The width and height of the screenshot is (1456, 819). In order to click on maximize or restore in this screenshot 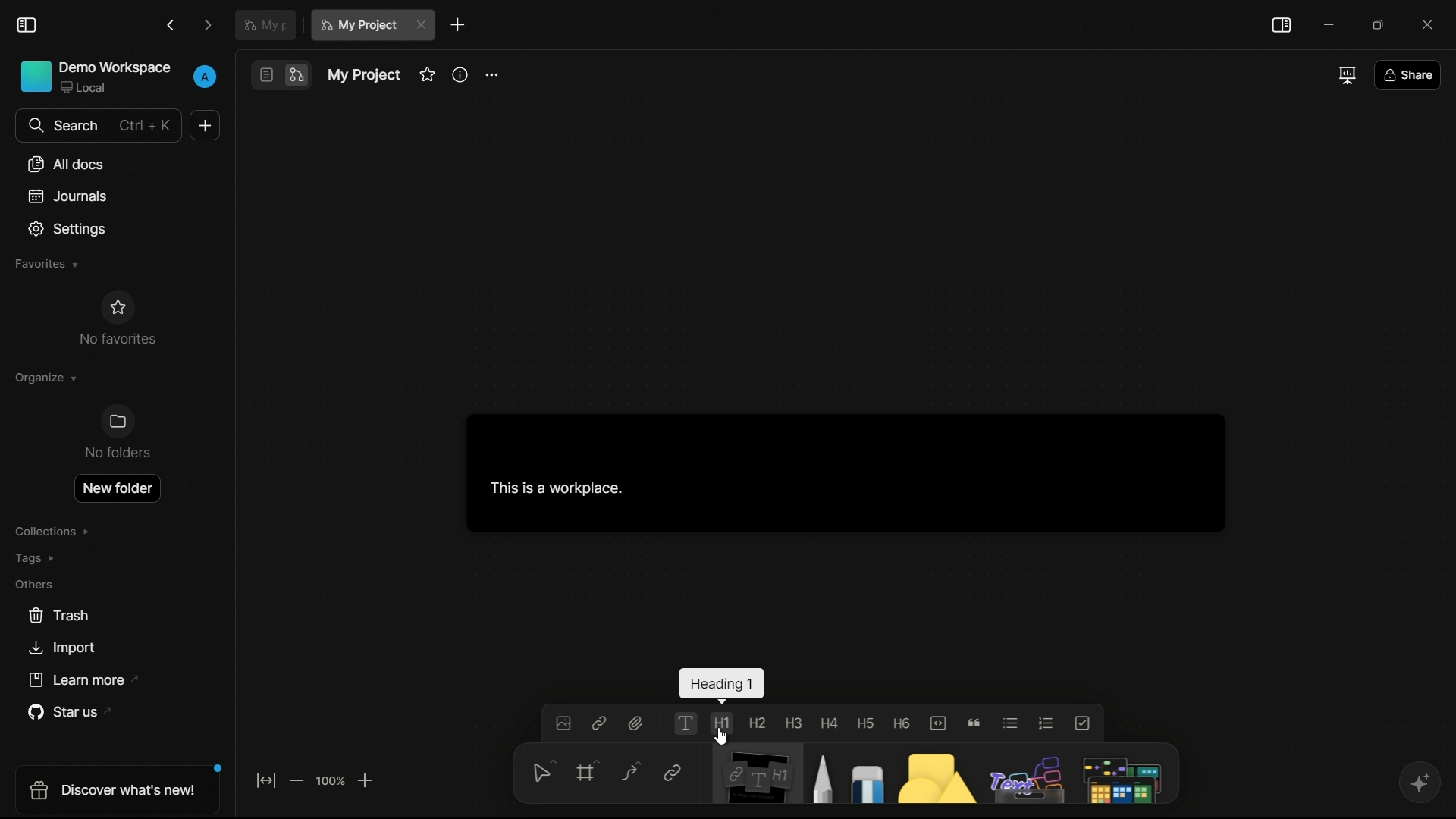, I will do `click(1380, 24)`.